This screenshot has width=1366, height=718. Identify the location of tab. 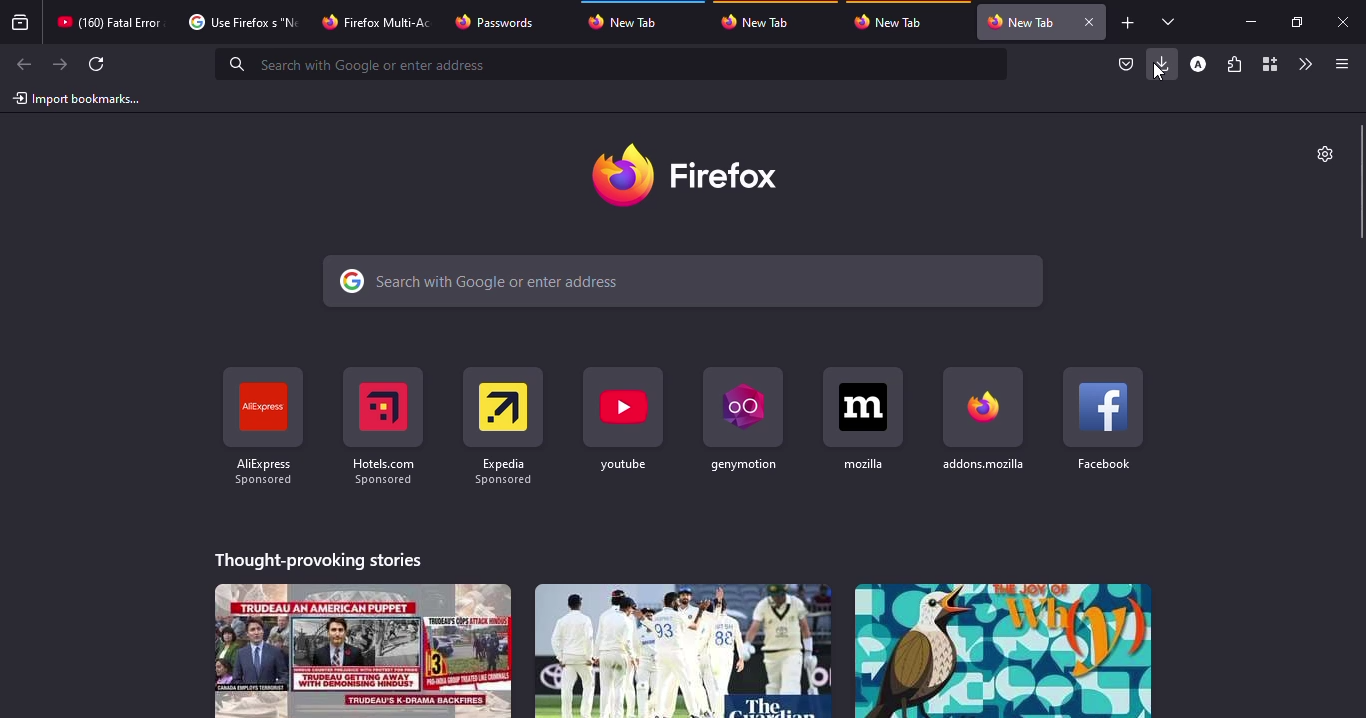
(240, 22).